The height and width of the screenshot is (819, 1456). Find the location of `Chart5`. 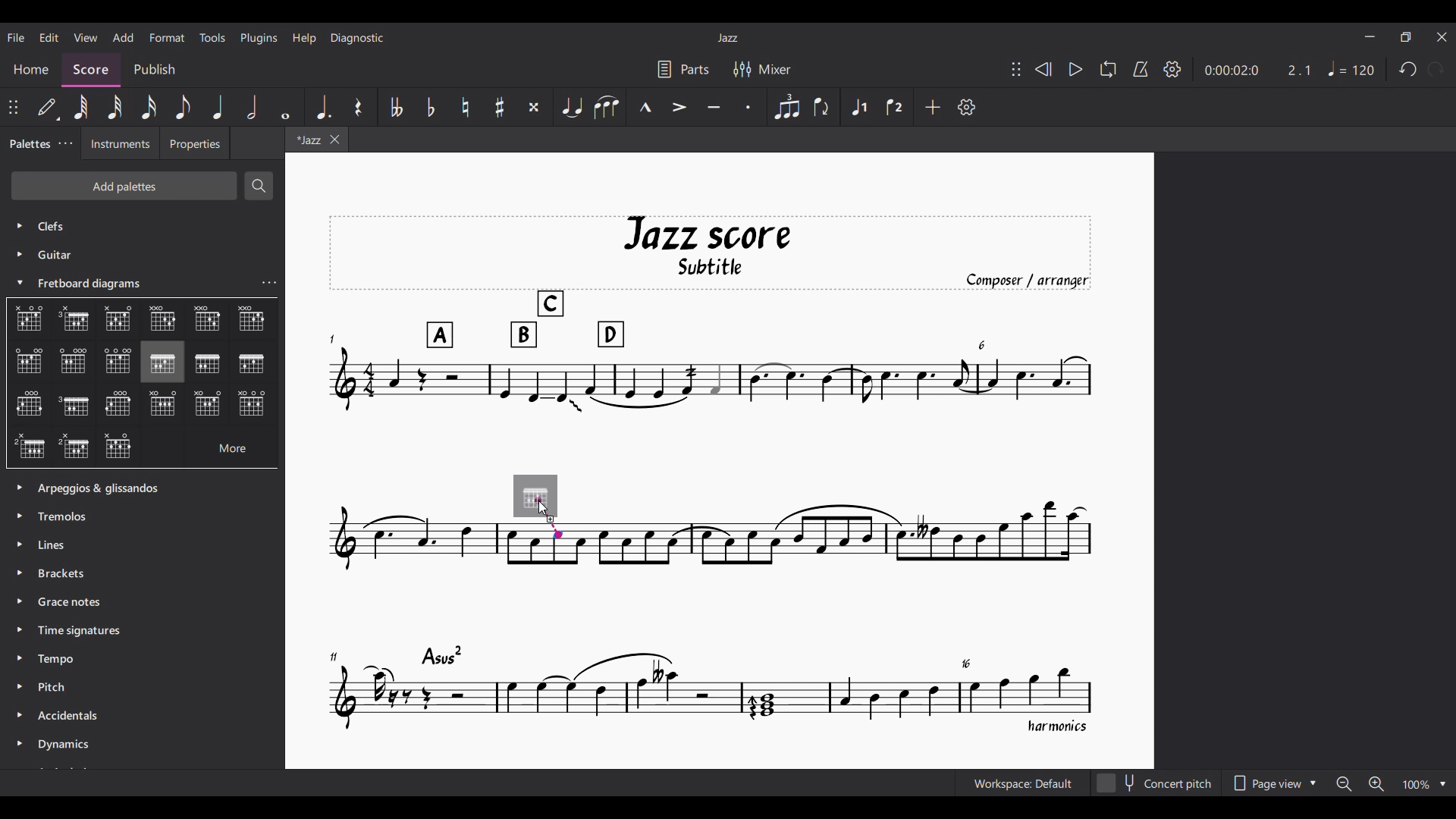

Chart5 is located at coordinates (208, 322).